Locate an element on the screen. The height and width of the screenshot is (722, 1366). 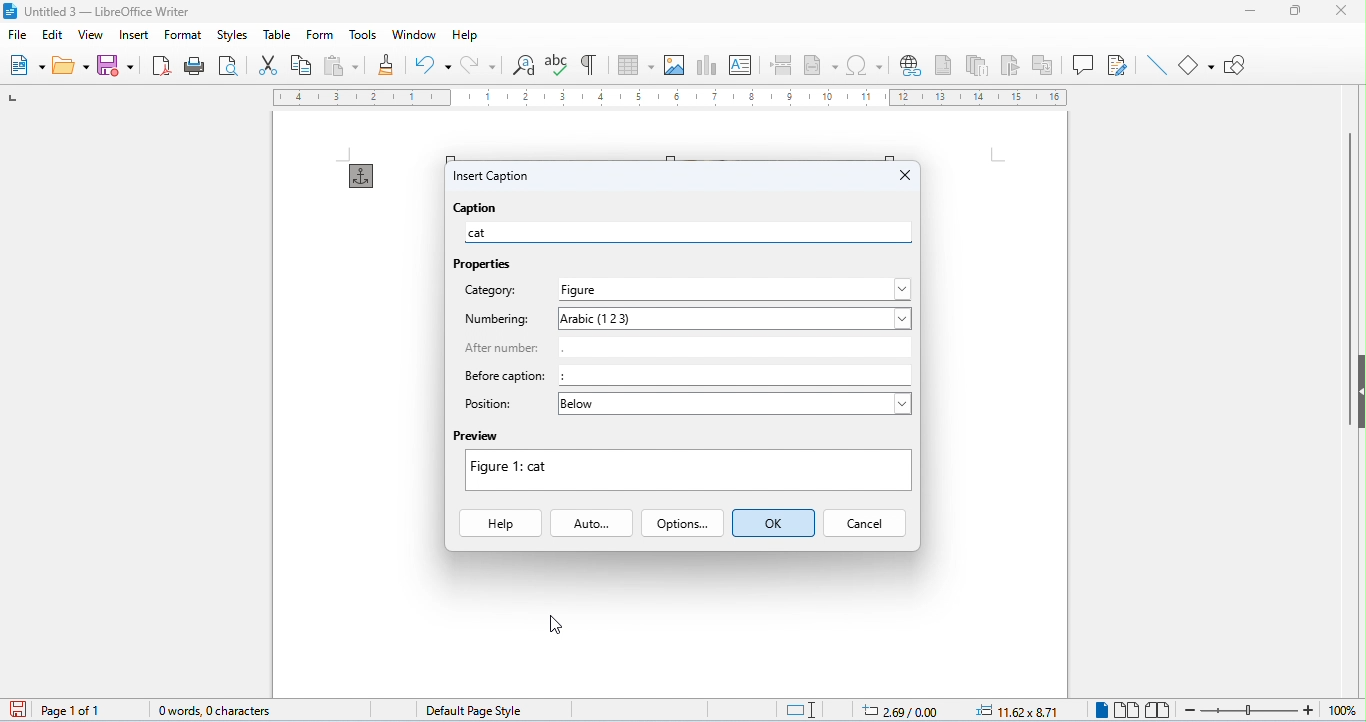
cut is located at coordinates (268, 66).